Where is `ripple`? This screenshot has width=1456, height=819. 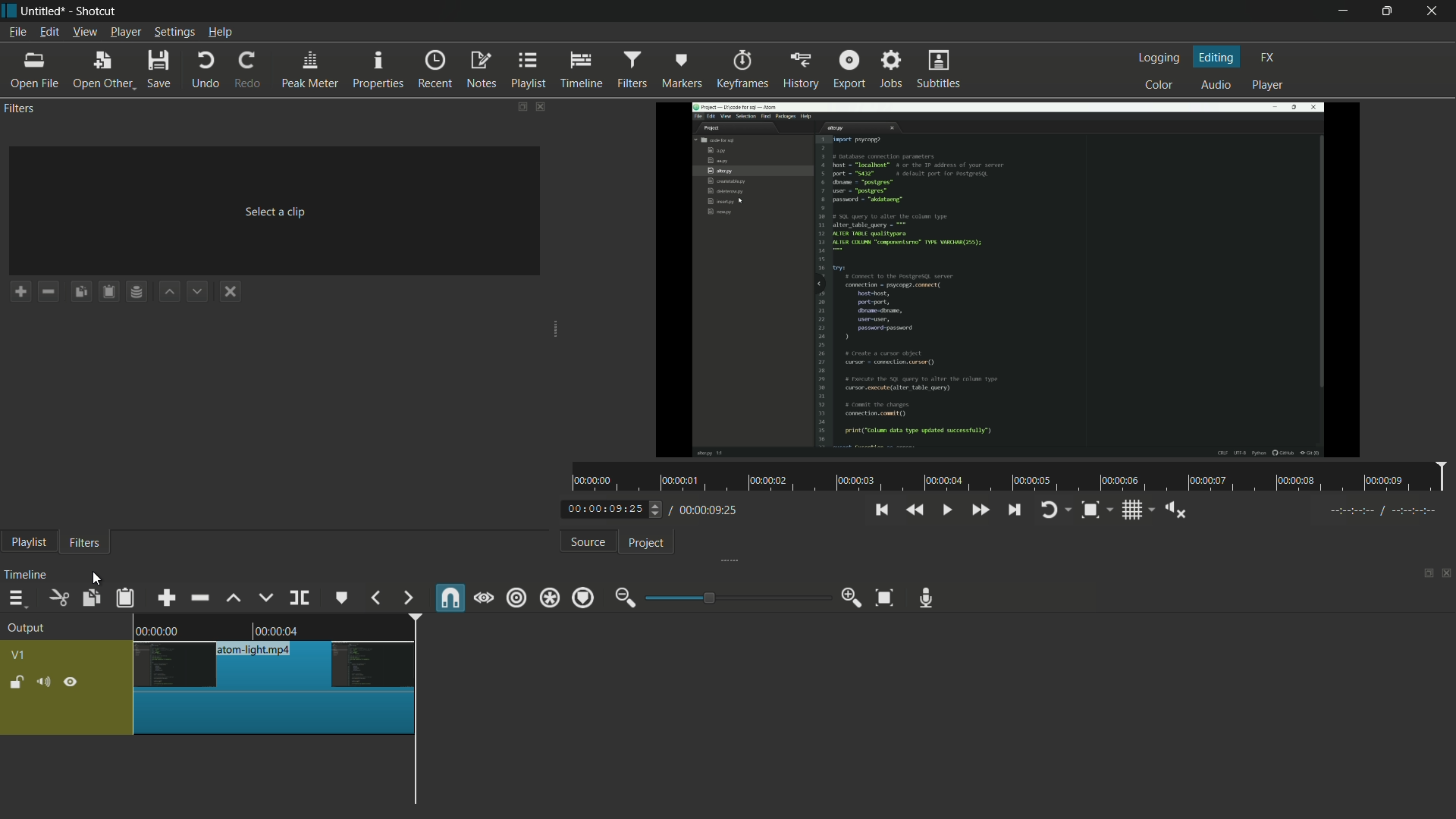
ripple is located at coordinates (517, 599).